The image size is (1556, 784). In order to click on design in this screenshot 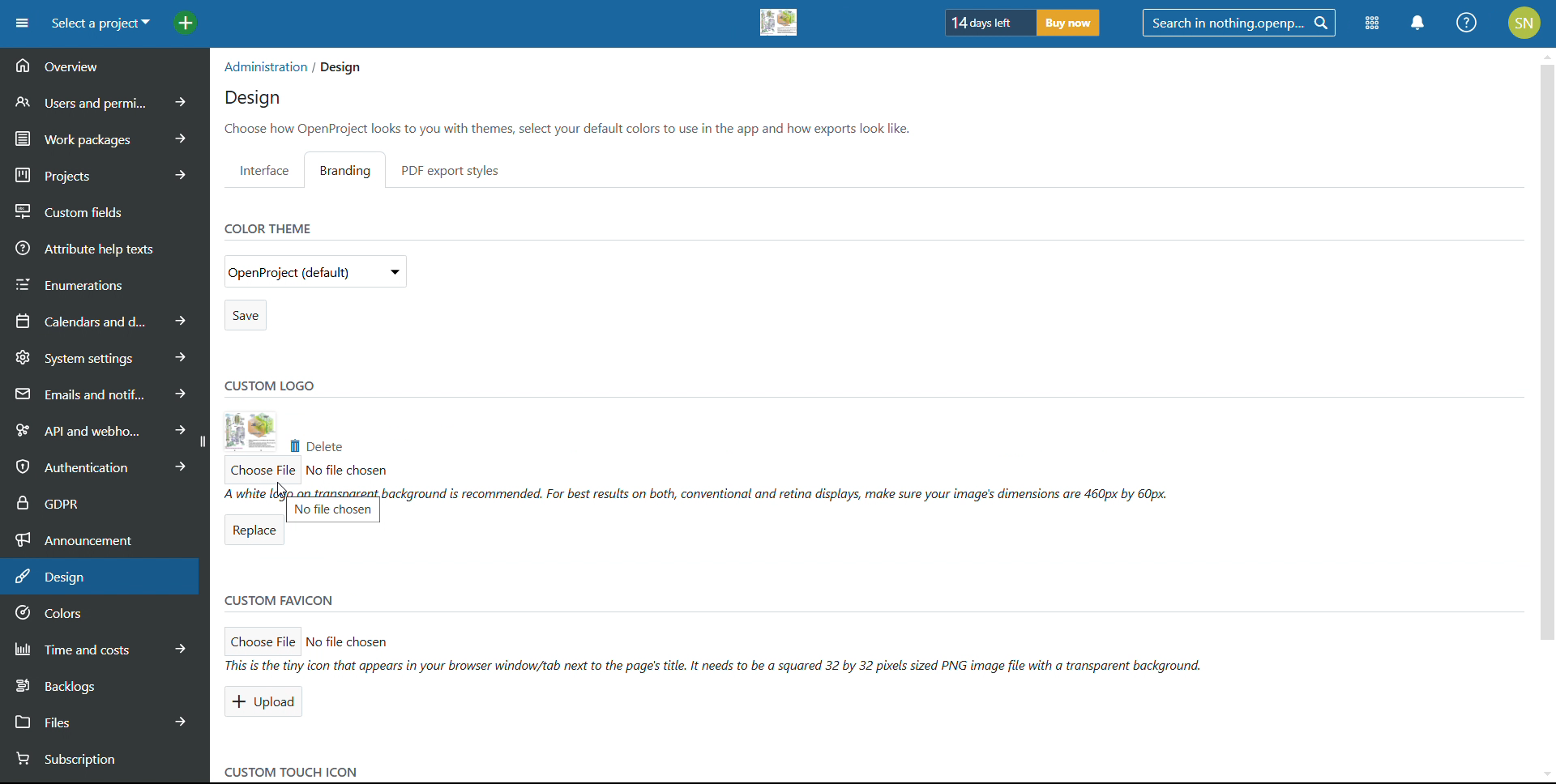, I will do `click(253, 99)`.